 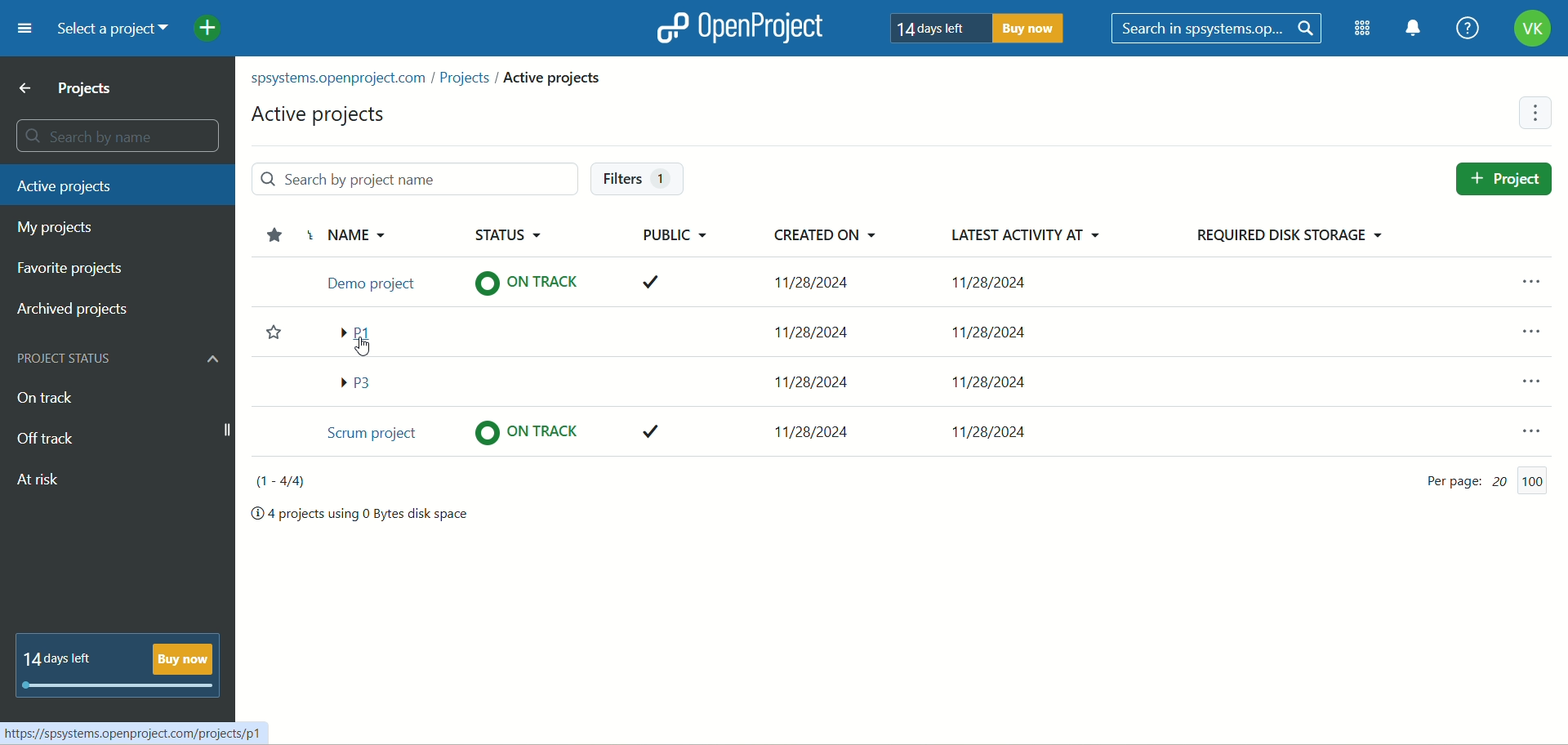 What do you see at coordinates (134, 729) in the screenshot?
I see `PERREERRRRRNNRNNNNNNNNNNNN—.
https://spsystems.openproject.com/projects/p1` at bounding box center [134, 729].